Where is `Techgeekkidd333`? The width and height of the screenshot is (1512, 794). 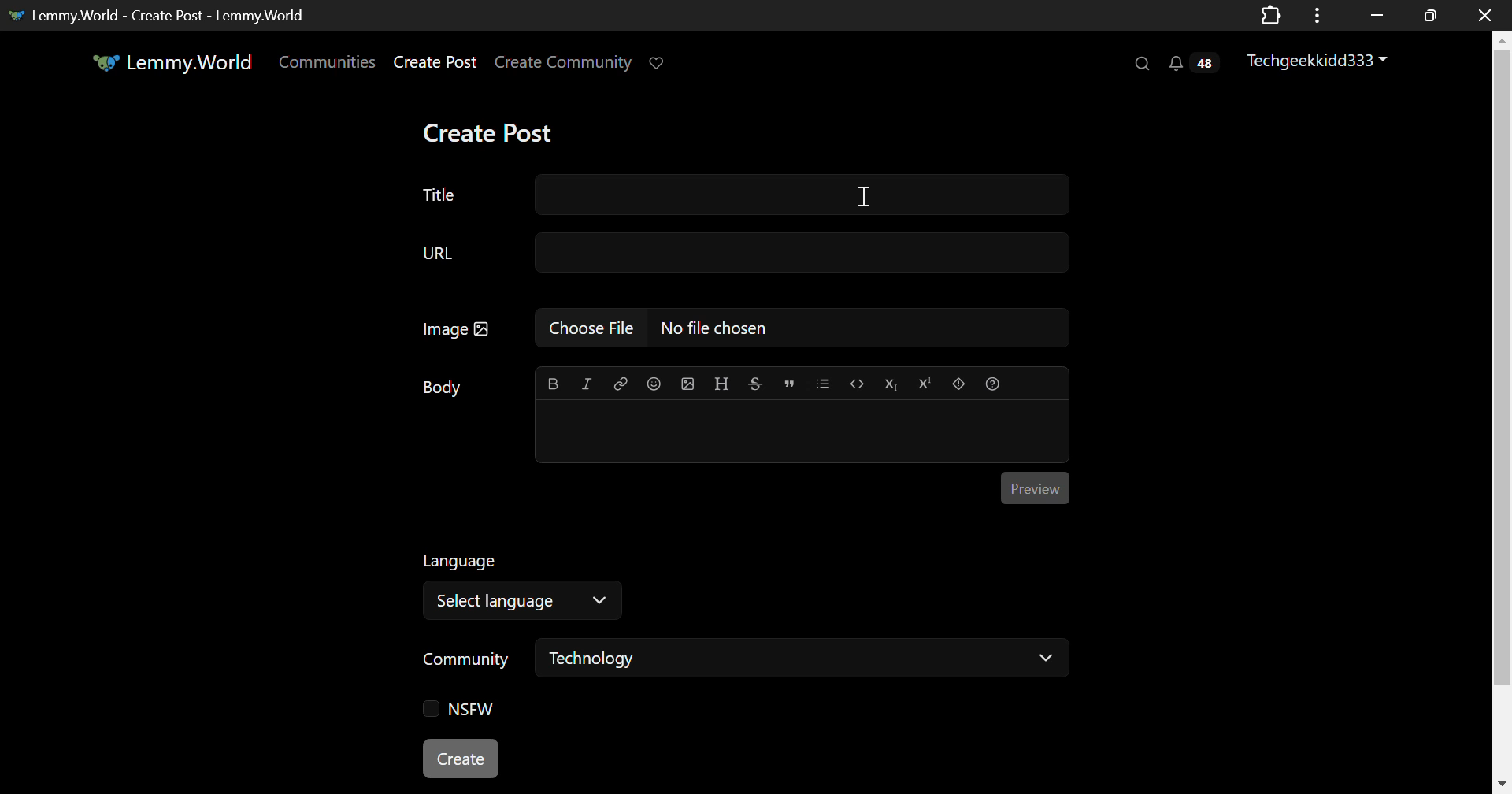 Techgeekkidd333 is located at coordinates (1319, 61).